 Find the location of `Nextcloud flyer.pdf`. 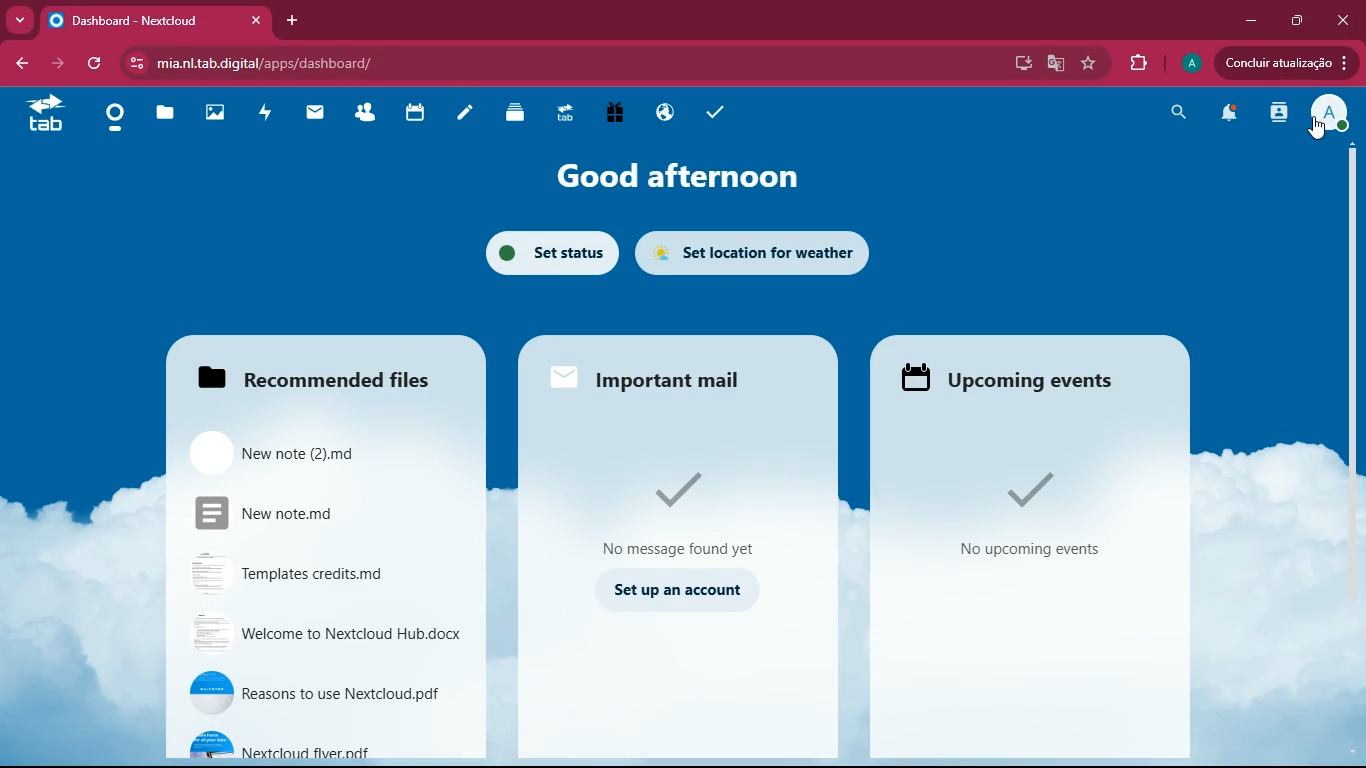

Nextcloud flyer.pdf is located at coordinates (327, 743).